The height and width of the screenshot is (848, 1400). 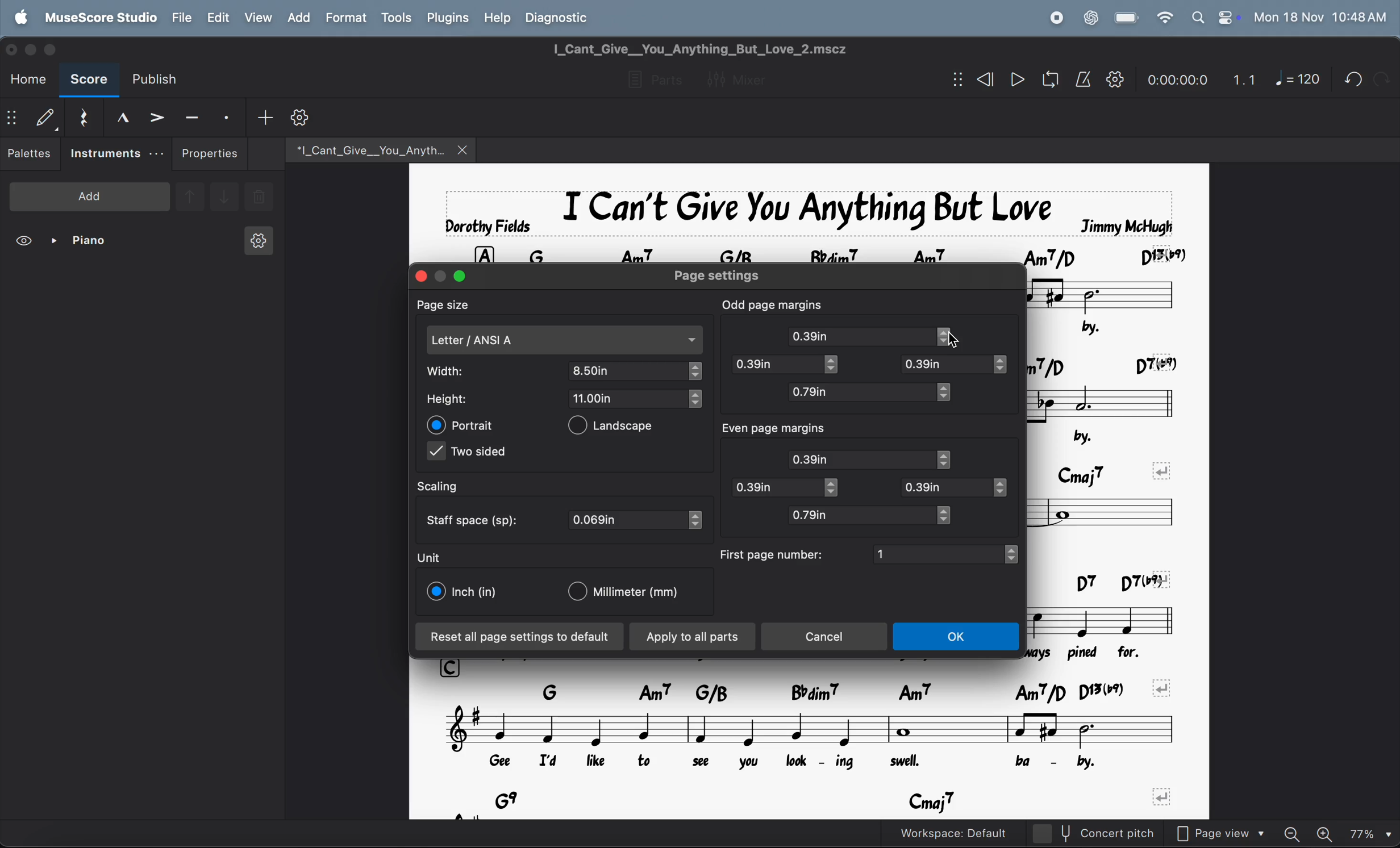 I want to click on view, so click(x=26, y=243).